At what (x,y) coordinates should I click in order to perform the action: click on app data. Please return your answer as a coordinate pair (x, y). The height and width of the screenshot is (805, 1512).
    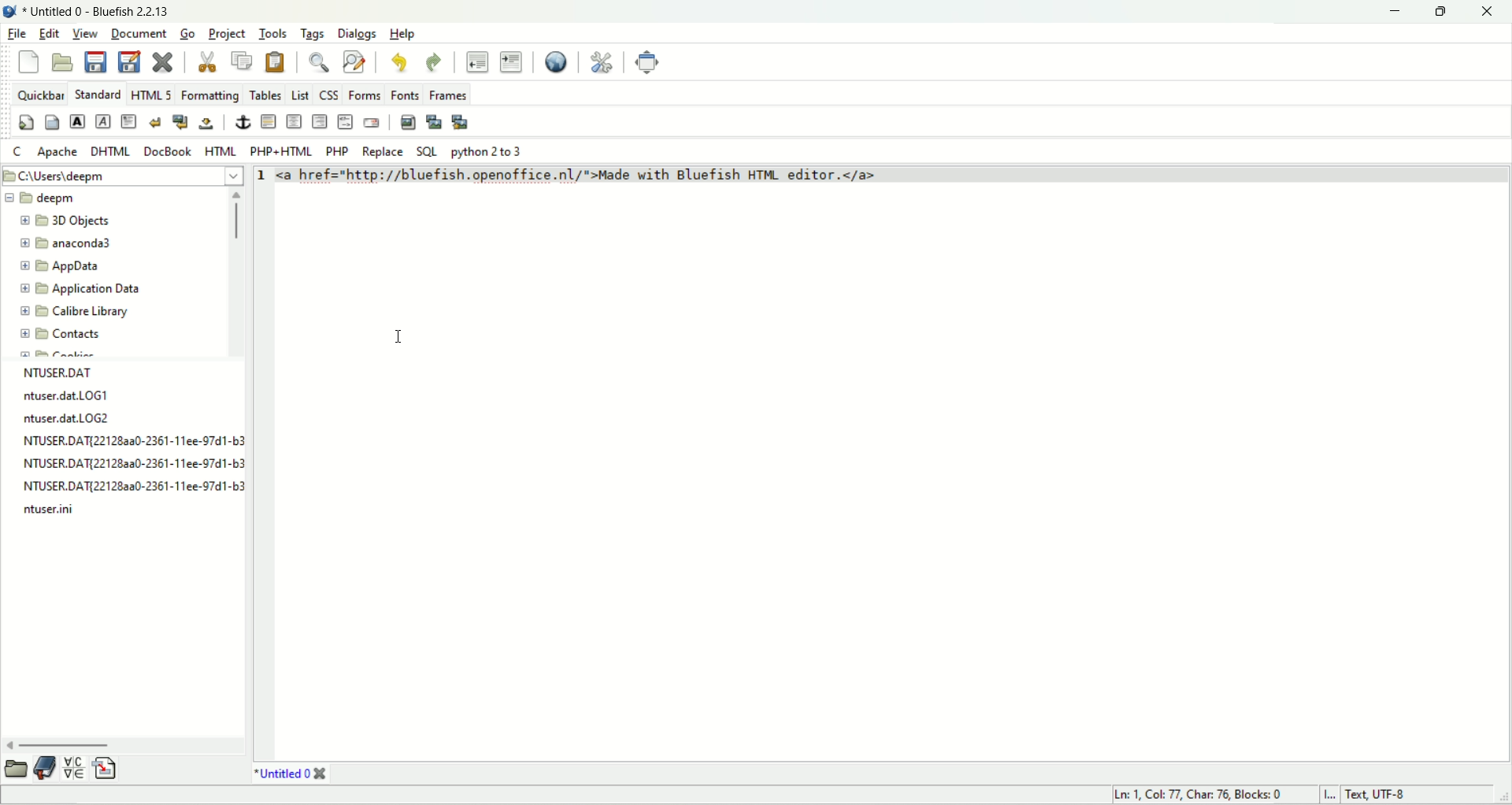
    Looking at the image, I should click on (58, 268).